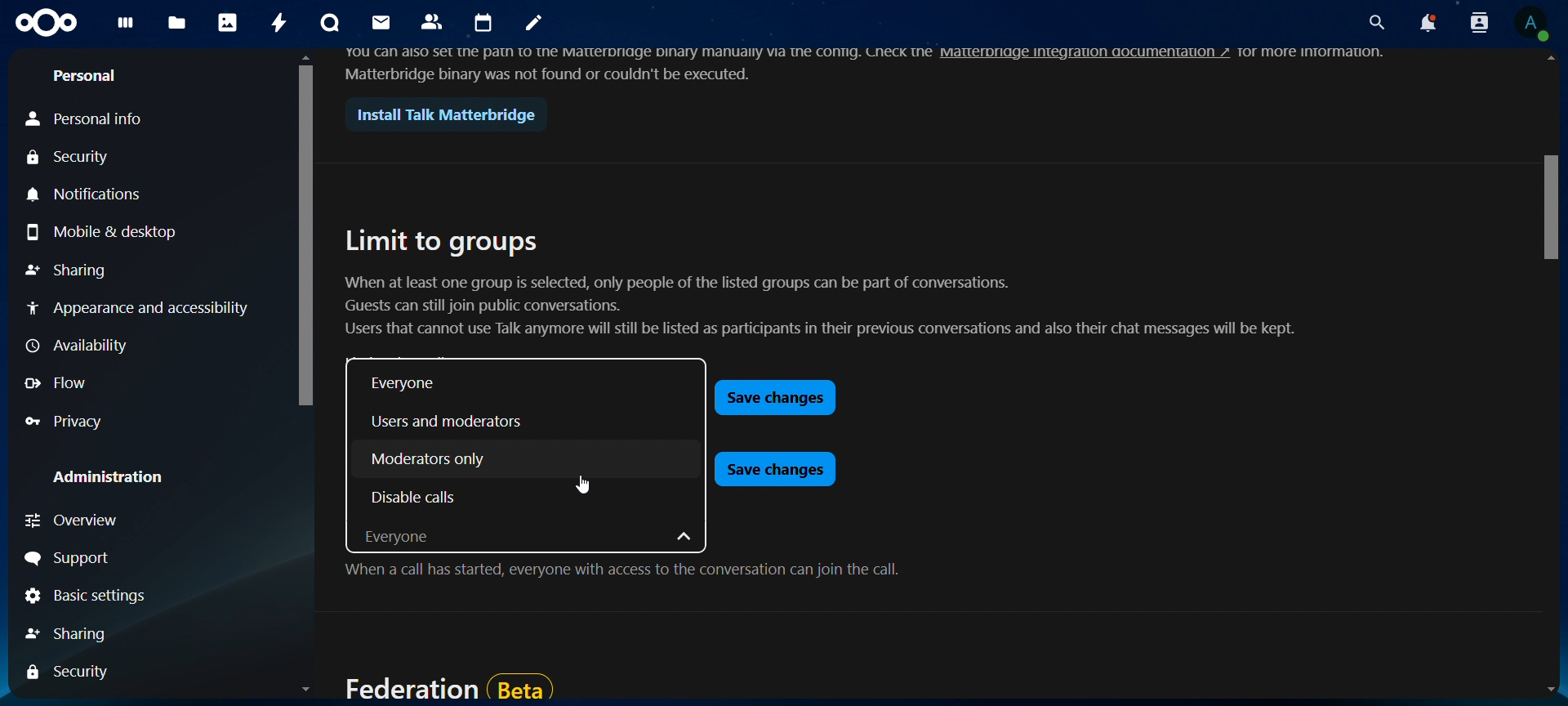 This screenshot has width=1568, height=706. I want to click on Appearence, so click(140, 310).